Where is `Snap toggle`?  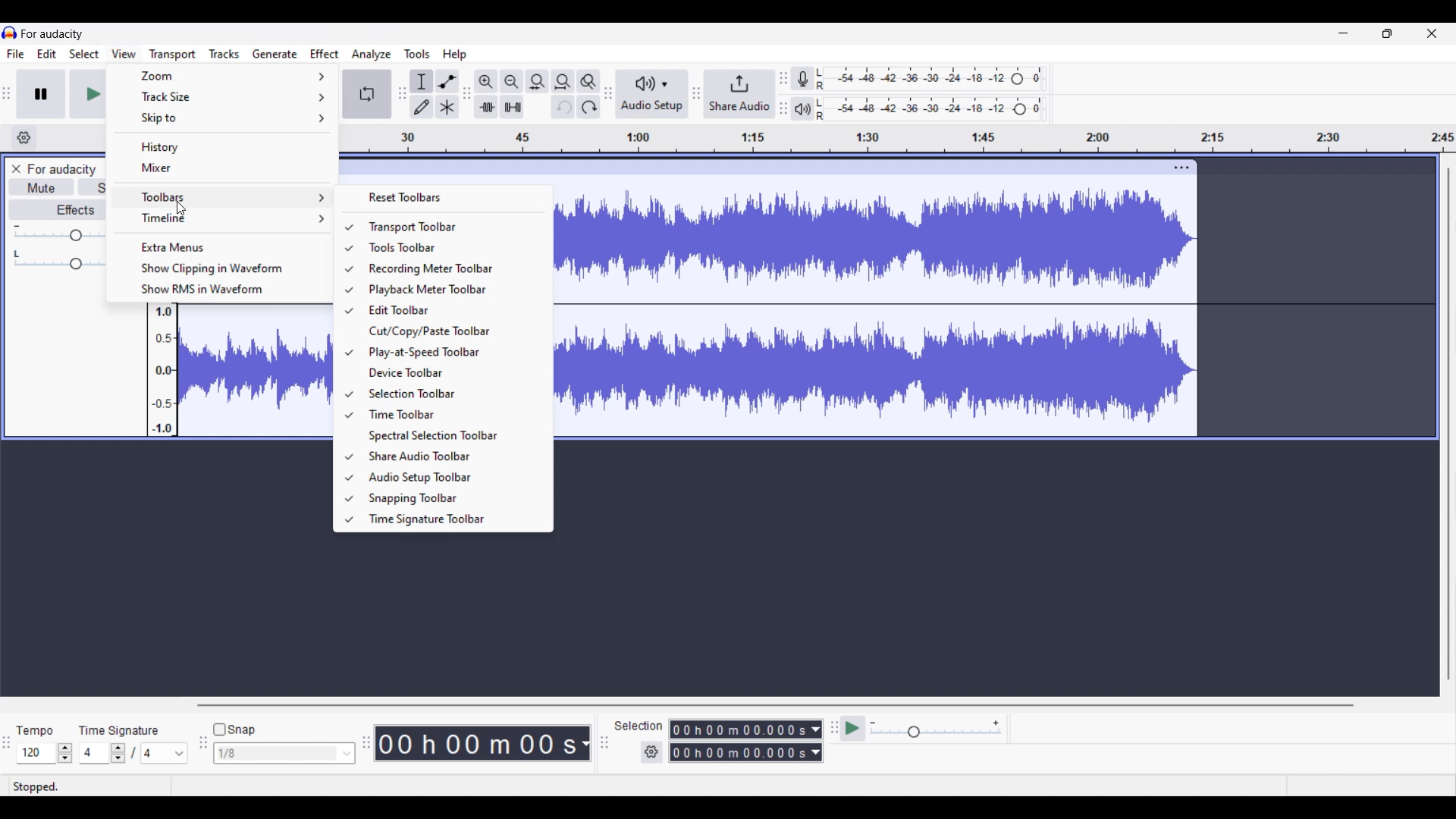
Snap toggle is located at coordinates (235, 730).